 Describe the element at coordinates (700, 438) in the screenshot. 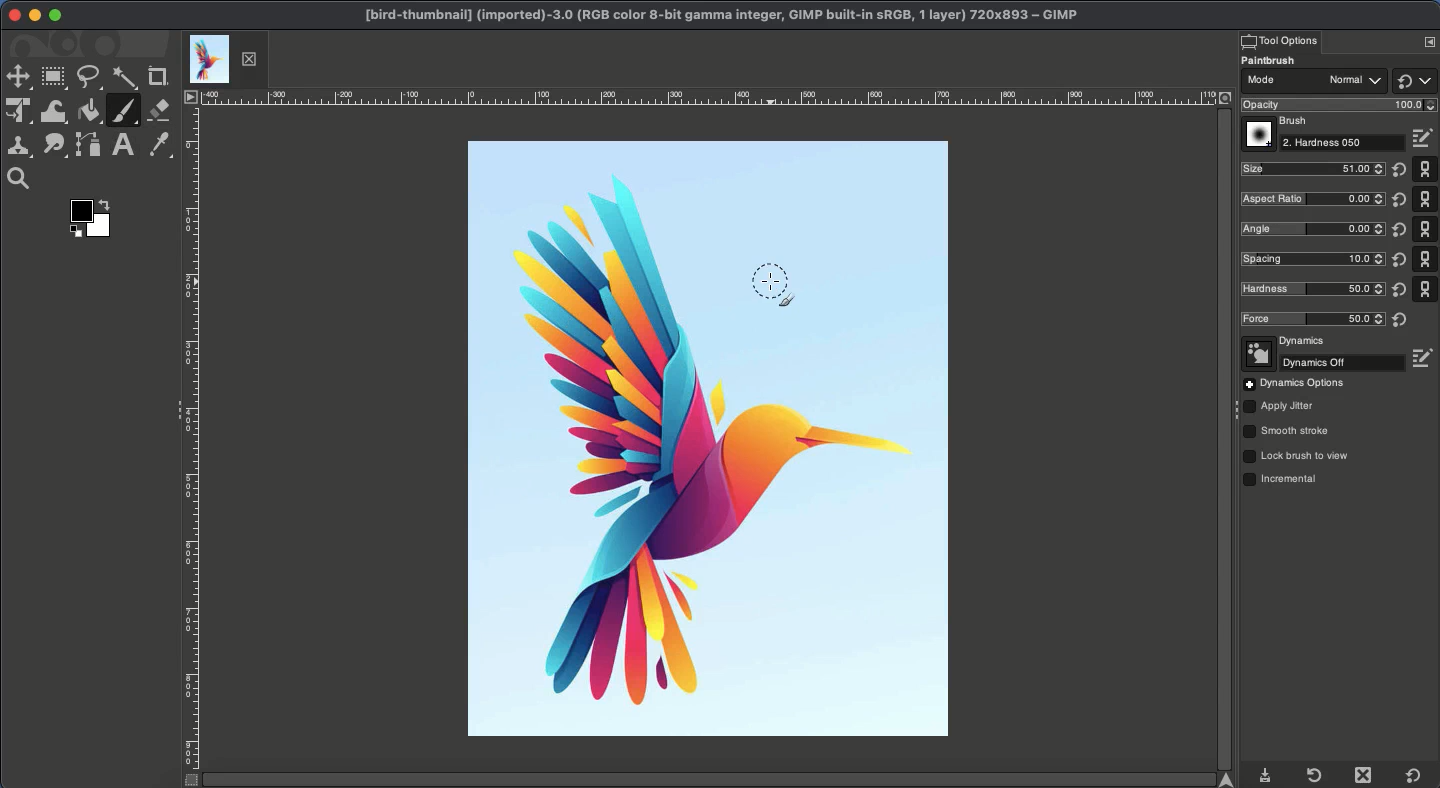

I see `Image` at that location.